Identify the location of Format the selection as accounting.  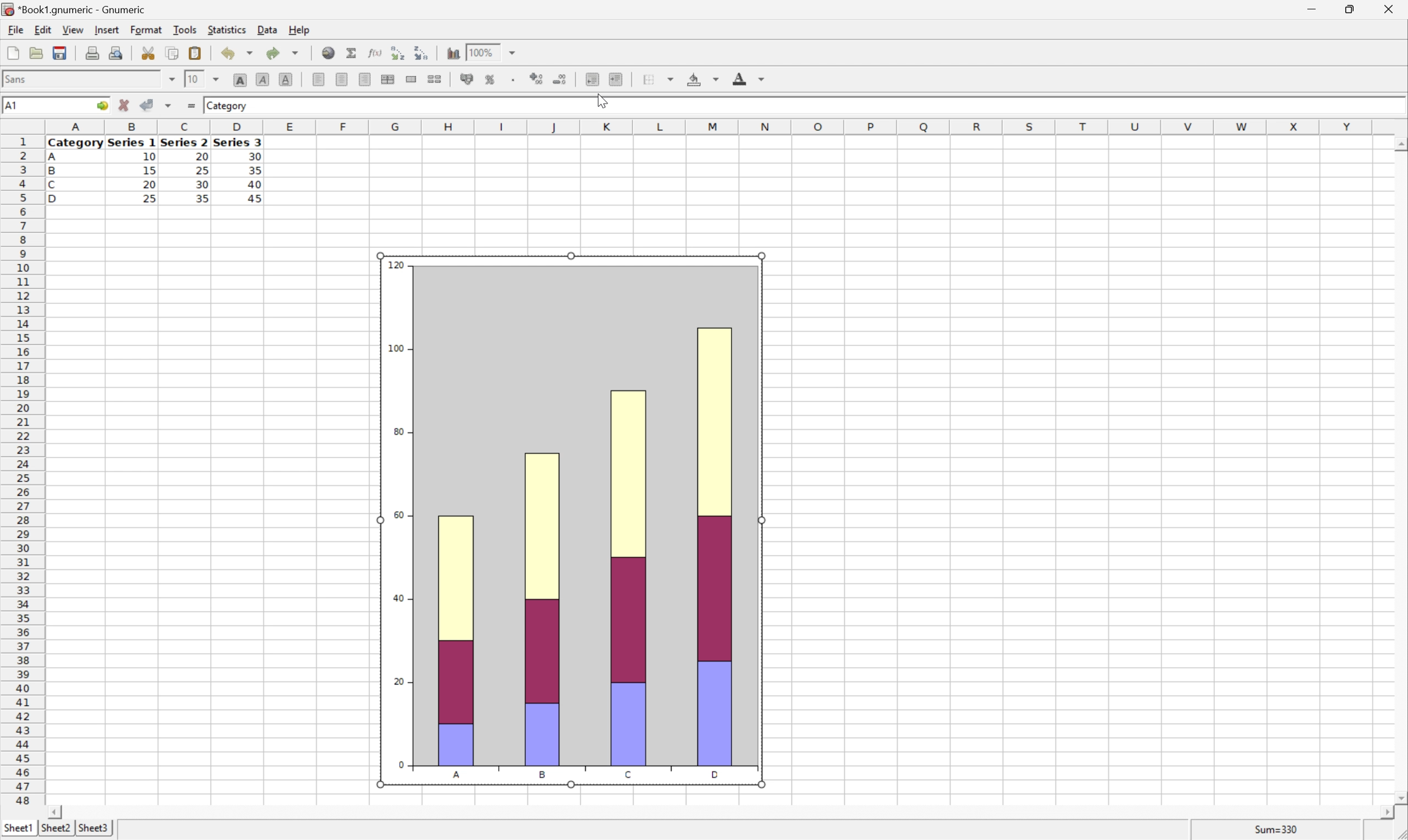
(462, 78).